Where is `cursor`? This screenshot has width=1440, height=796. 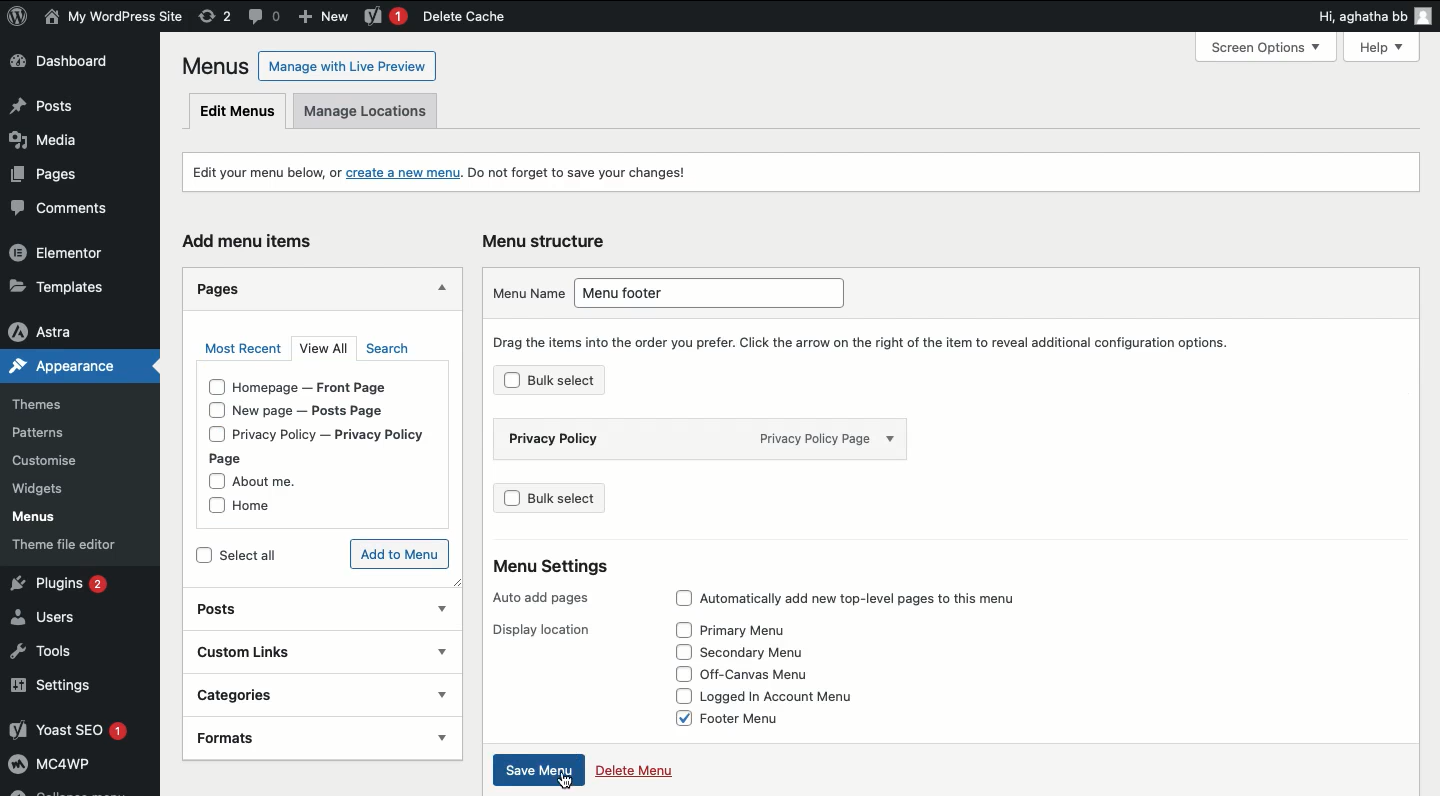
cursor is located at coordinates (565, 781).